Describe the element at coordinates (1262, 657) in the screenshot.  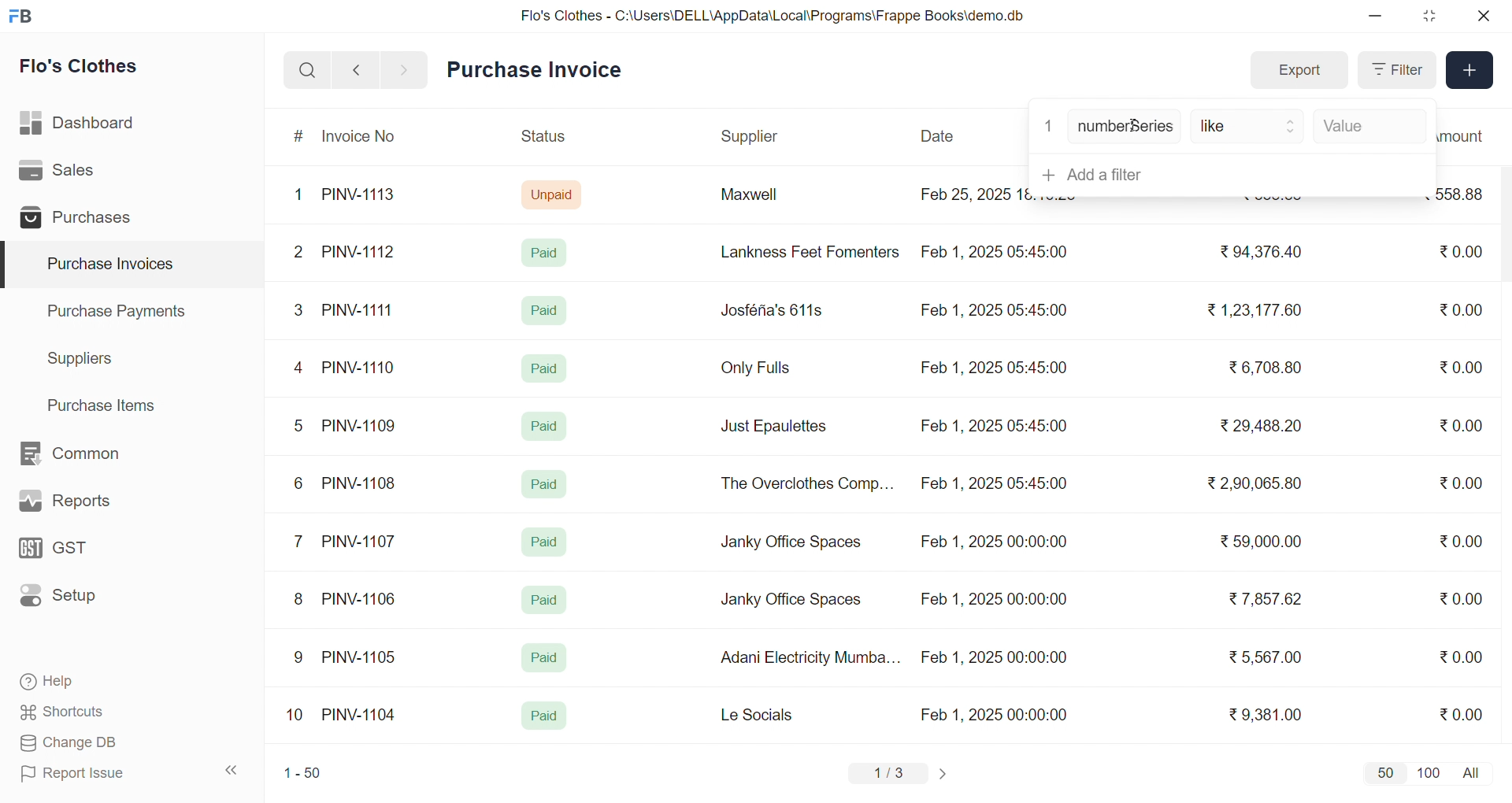
I see `₹ 5,567.00` at that location.